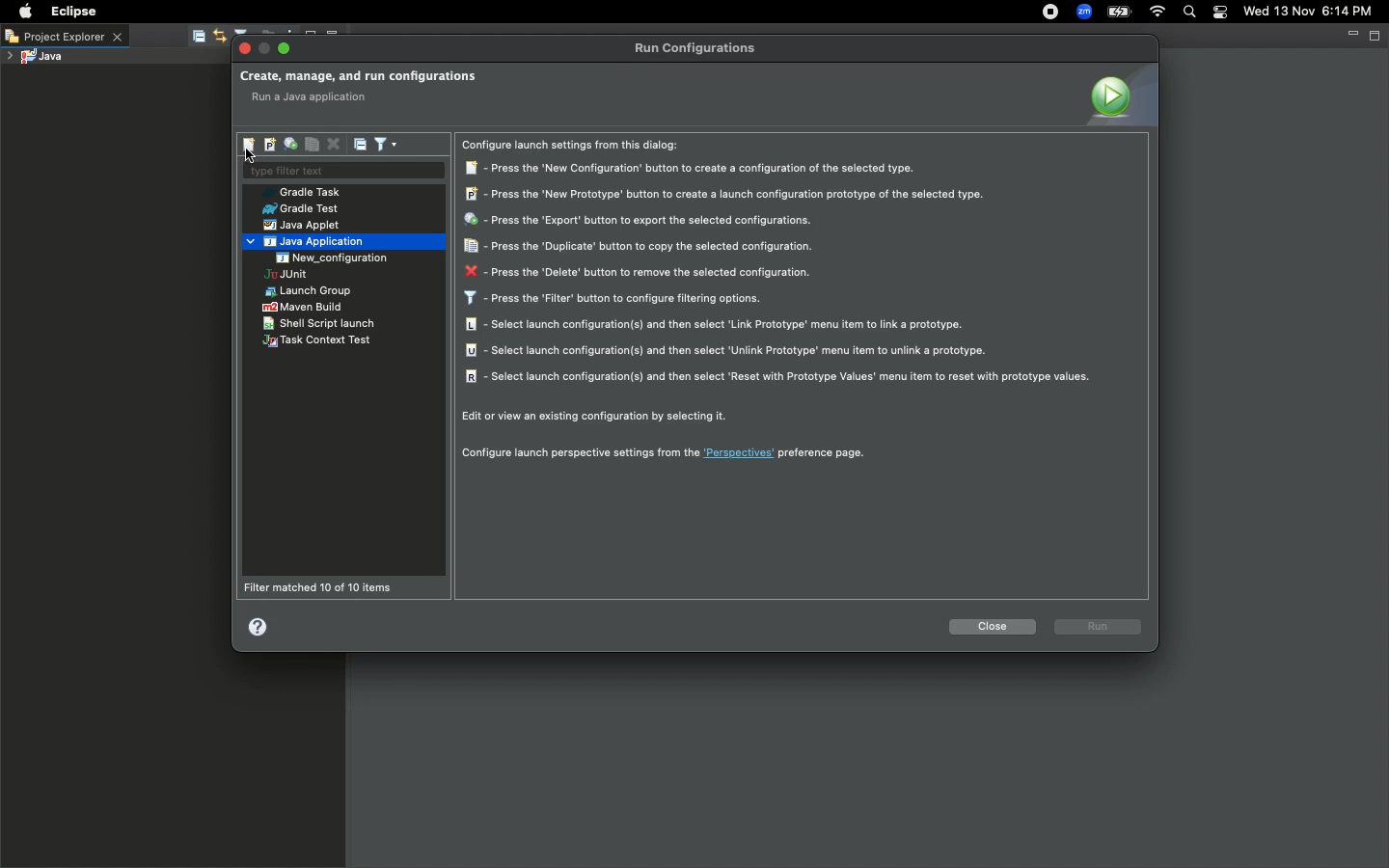 The width and height of the screenshot is (1389, 868). What do you see at coordinates (665, 451) in the screenshot?
I see `Configure launch perspective settings from the Perspective preference page` at bounding box center [665, 451].